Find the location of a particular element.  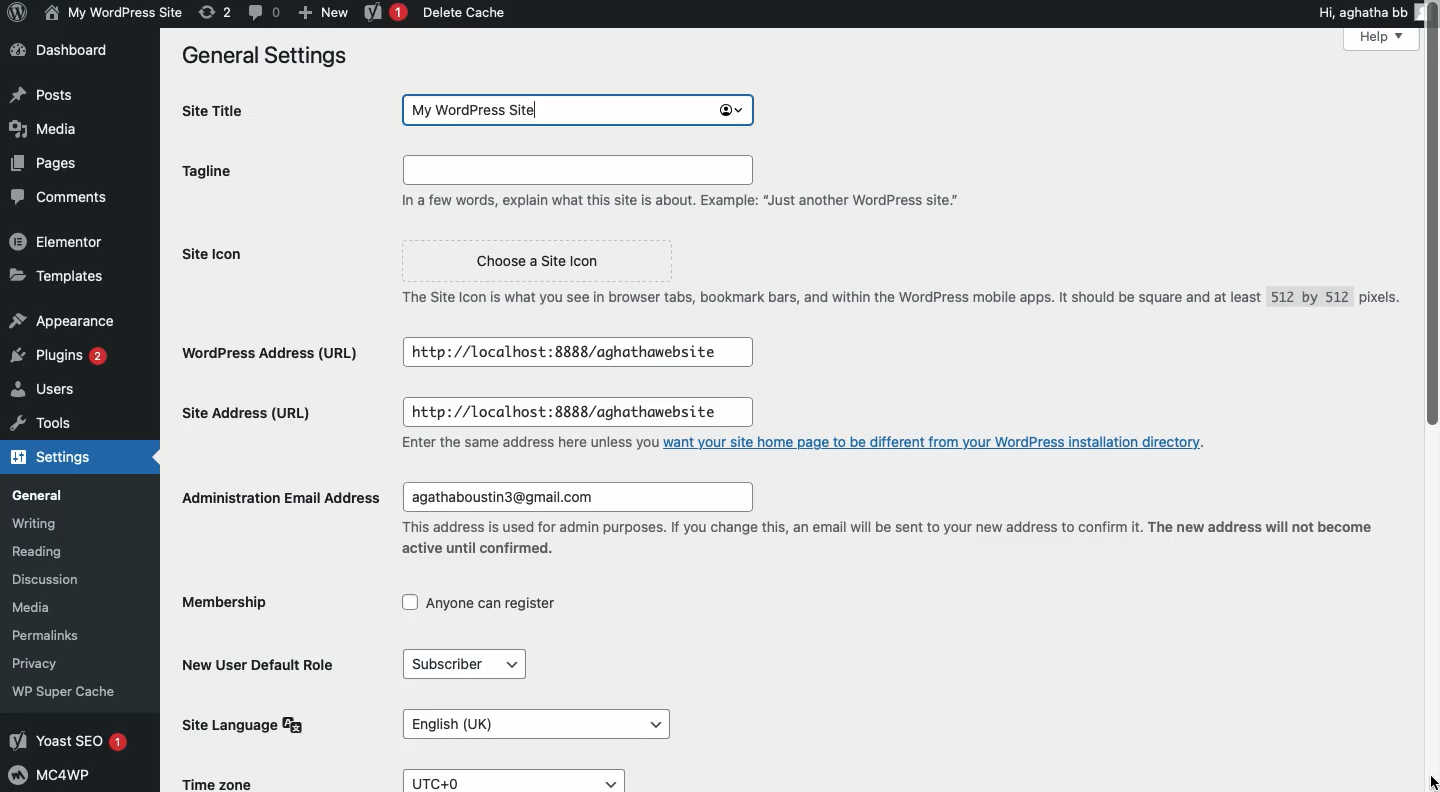

Reading is located at coordinates (38, 553).